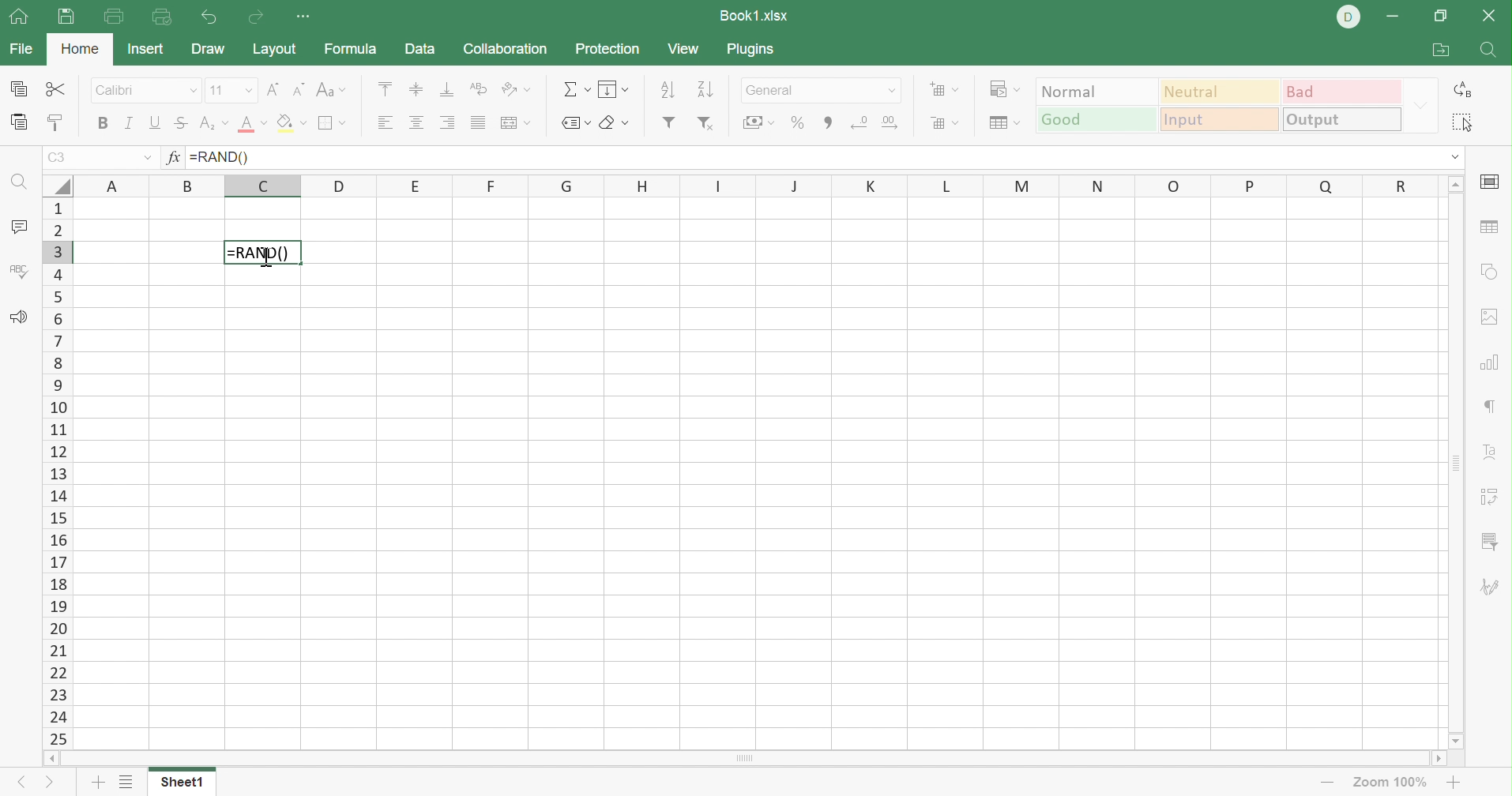 Image resolution: width=1512 pixels, height=796 pixels. Describe the element at coordinates (130, 122) in the screenshot. I see `Italic` at that location.